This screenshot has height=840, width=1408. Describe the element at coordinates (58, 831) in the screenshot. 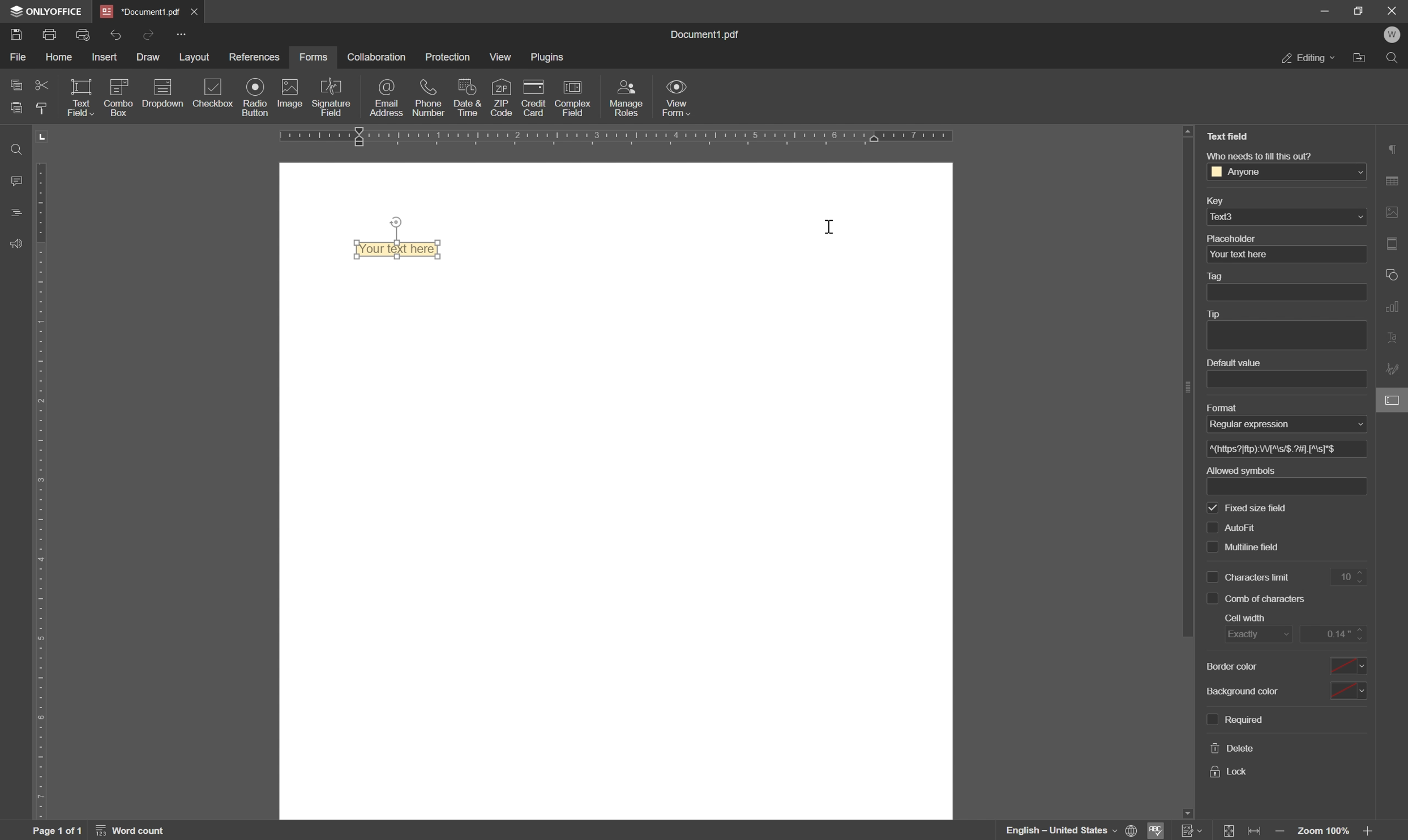

I see `page 1 of 1` at that location.